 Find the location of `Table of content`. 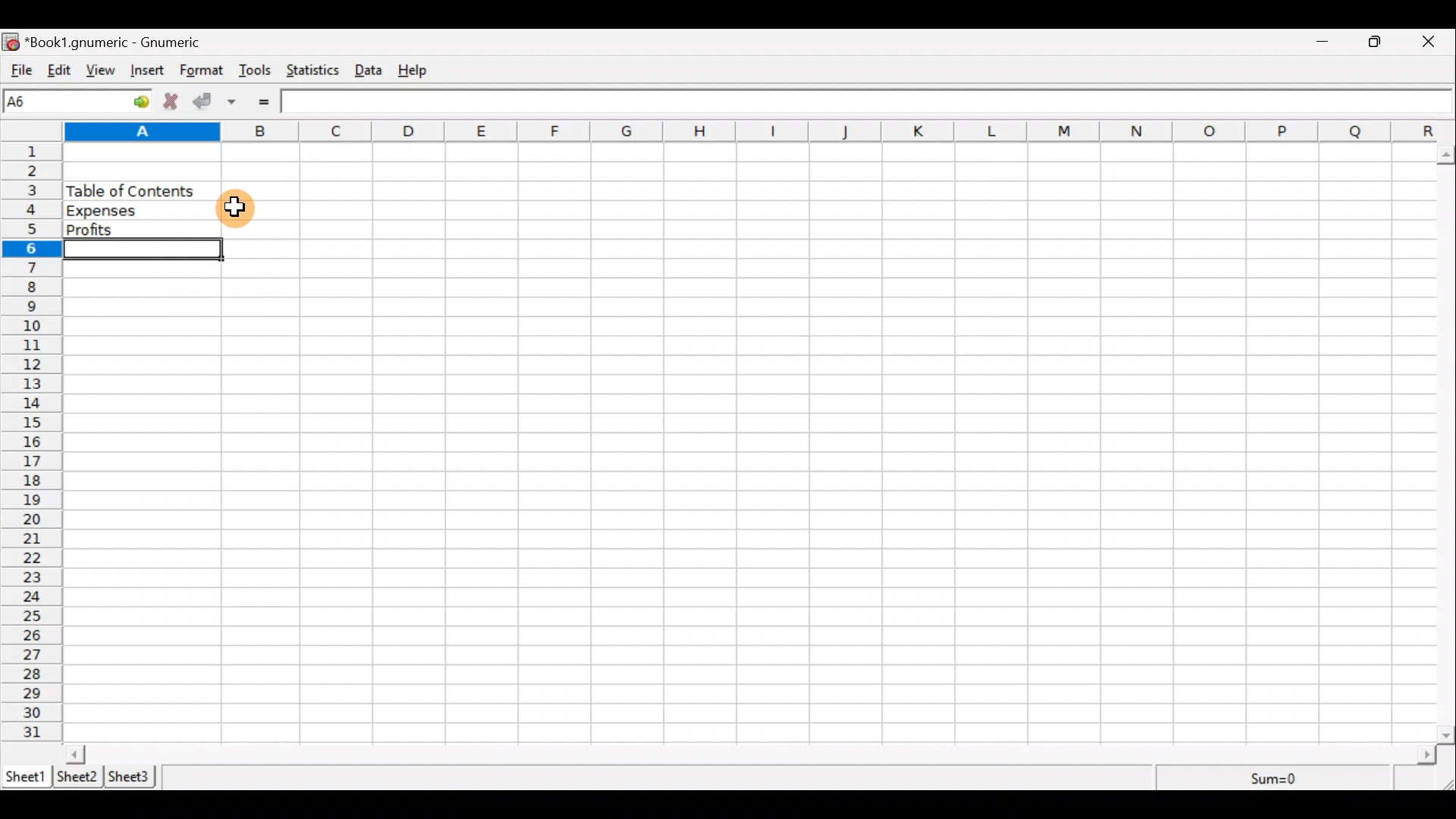

Table of content is located at coordinates (133, 192).